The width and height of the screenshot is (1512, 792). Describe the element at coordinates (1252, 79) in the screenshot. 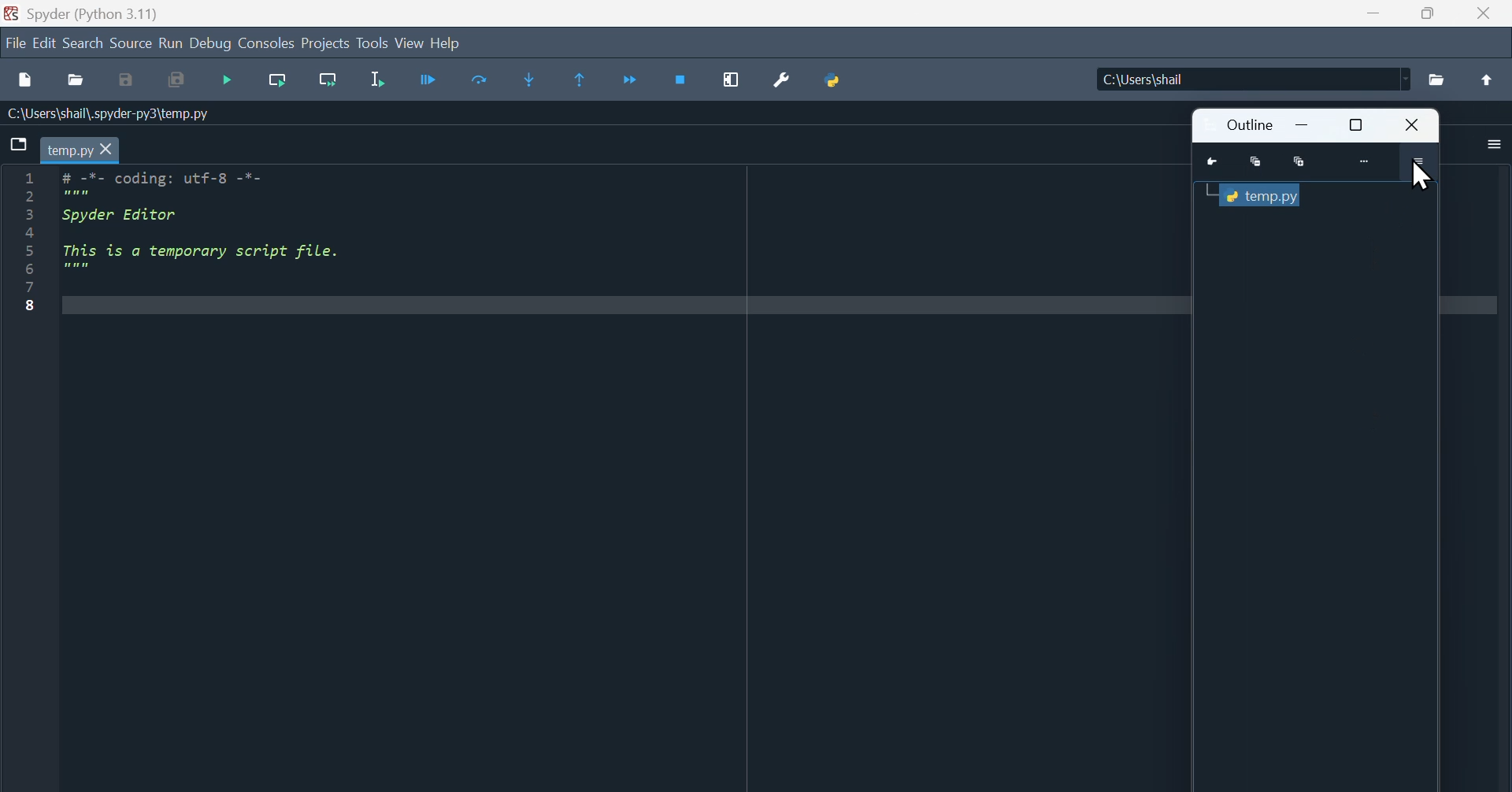

I see `C:\Users\shall` at that location.